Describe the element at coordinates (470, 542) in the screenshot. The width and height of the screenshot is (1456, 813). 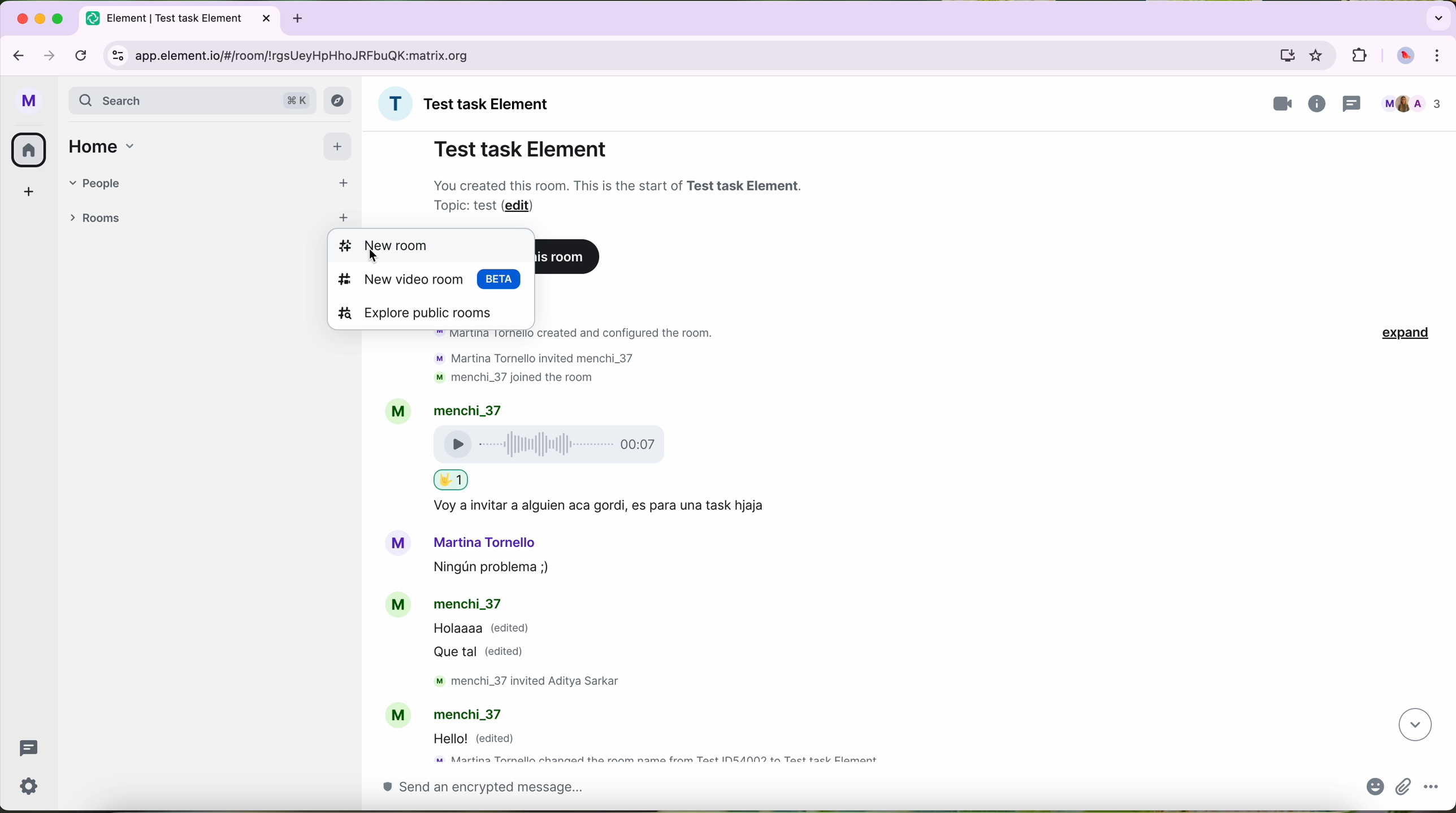
I see `account` at that location.